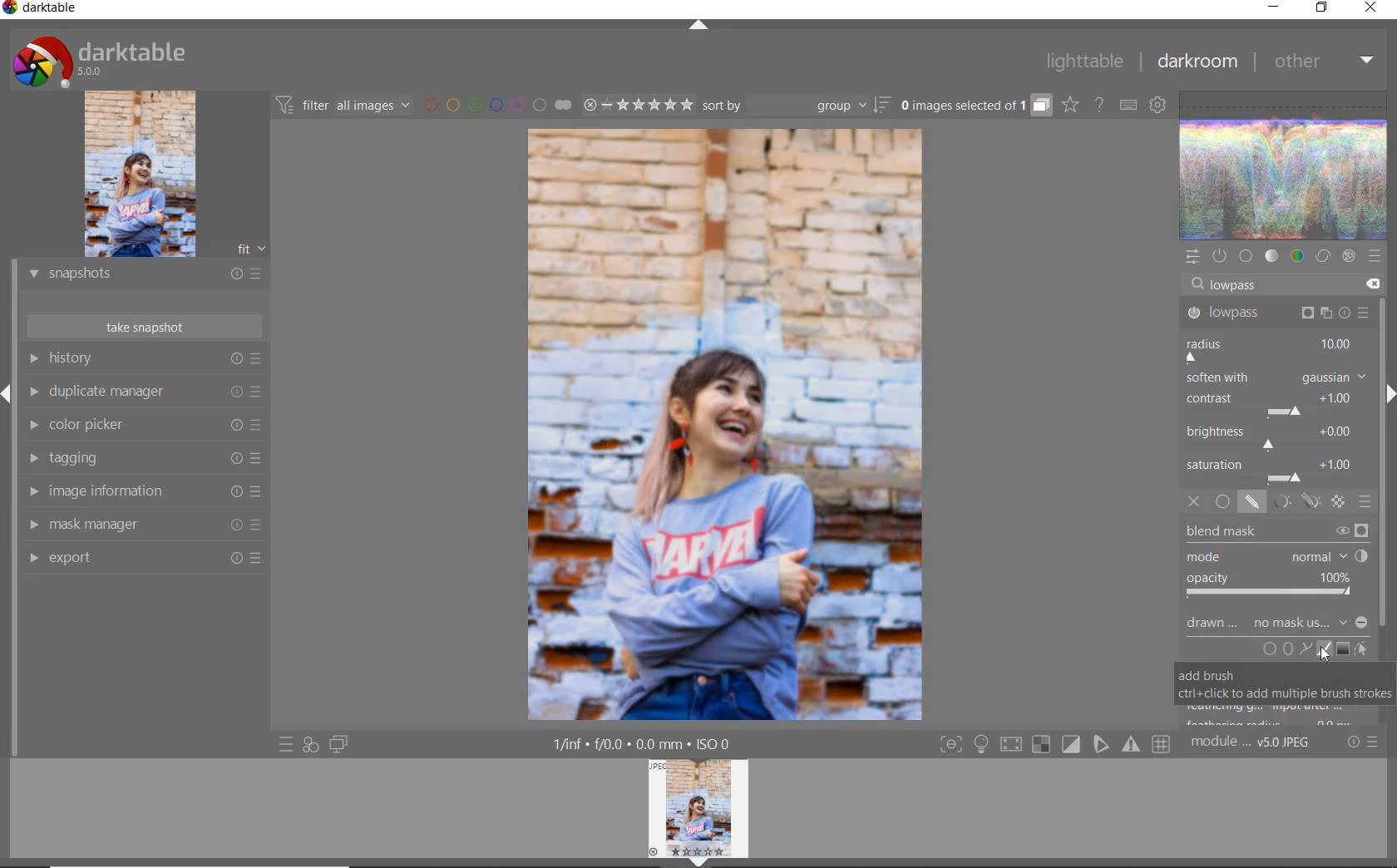 The image size is (1397, 868). Describe the element at coordinates (143, 328) in the screenshot. I see `take snapshots` at that location.